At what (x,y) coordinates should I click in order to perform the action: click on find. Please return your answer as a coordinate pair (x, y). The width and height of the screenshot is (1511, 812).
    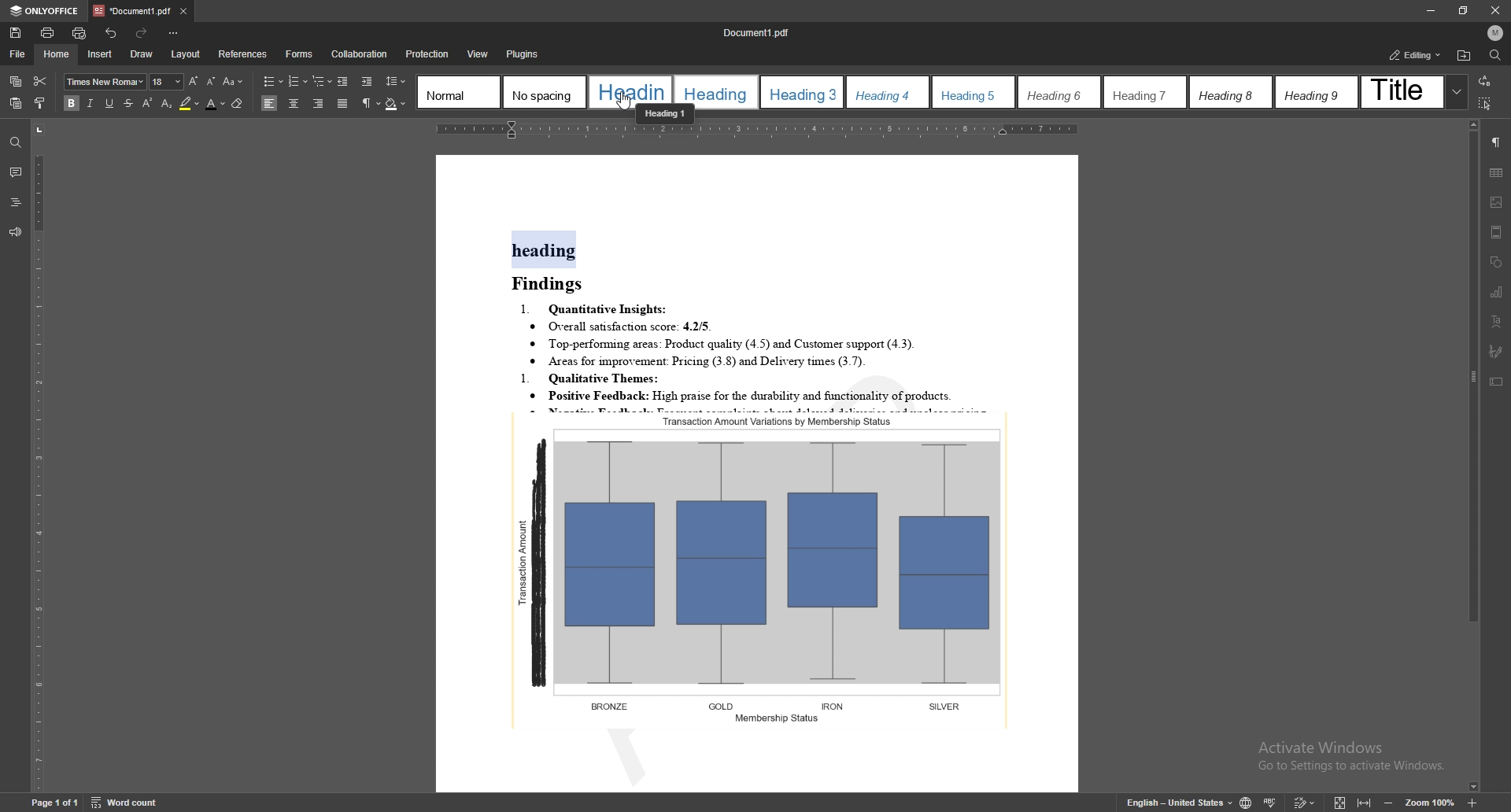
    Looking at the image, I should click on (1496, 56).